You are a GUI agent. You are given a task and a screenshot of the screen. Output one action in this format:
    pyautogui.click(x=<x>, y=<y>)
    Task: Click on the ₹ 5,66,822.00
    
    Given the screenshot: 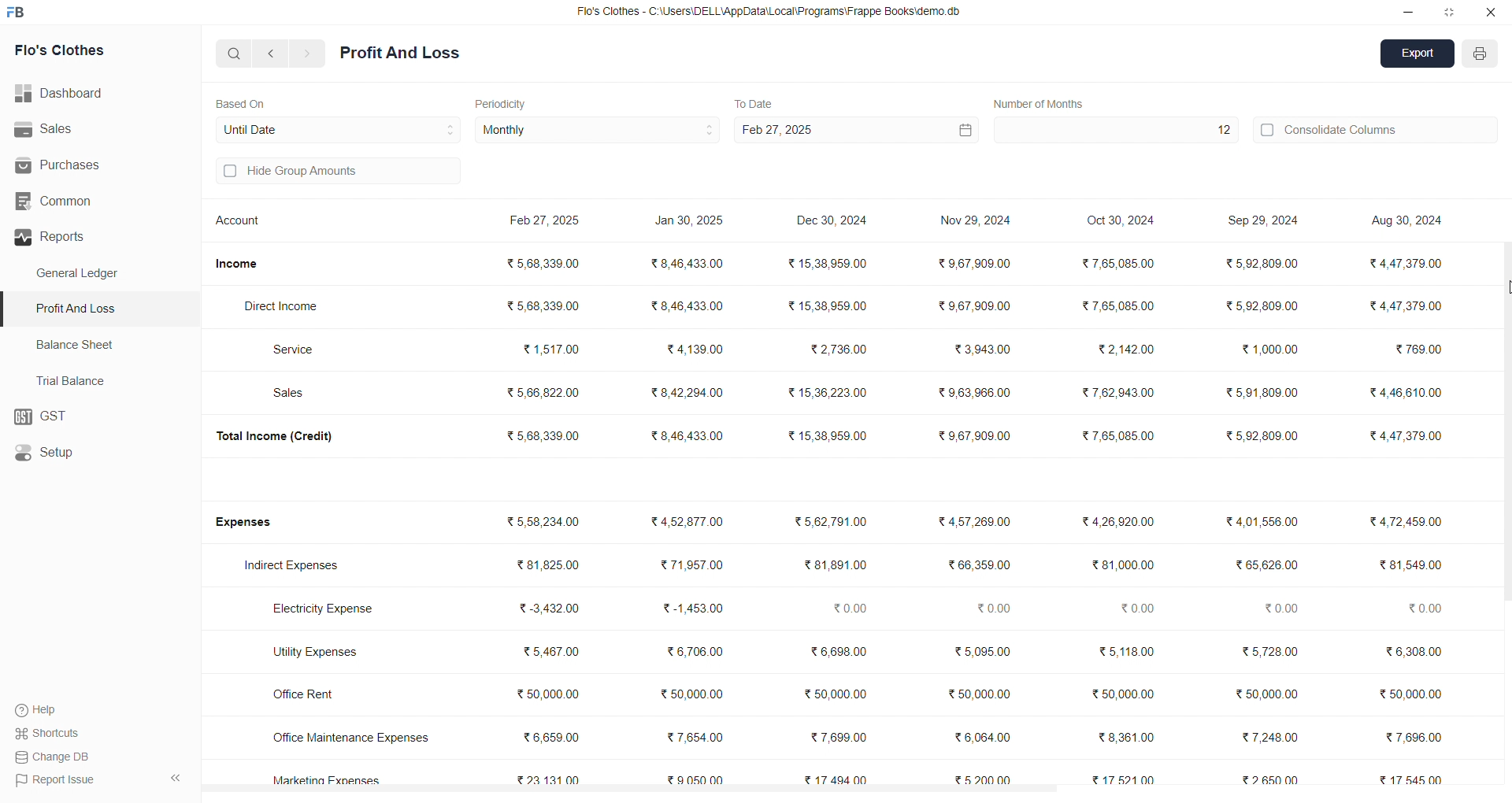 What is the action you would take?
    pyautogui.click(x=545, y=391)
    